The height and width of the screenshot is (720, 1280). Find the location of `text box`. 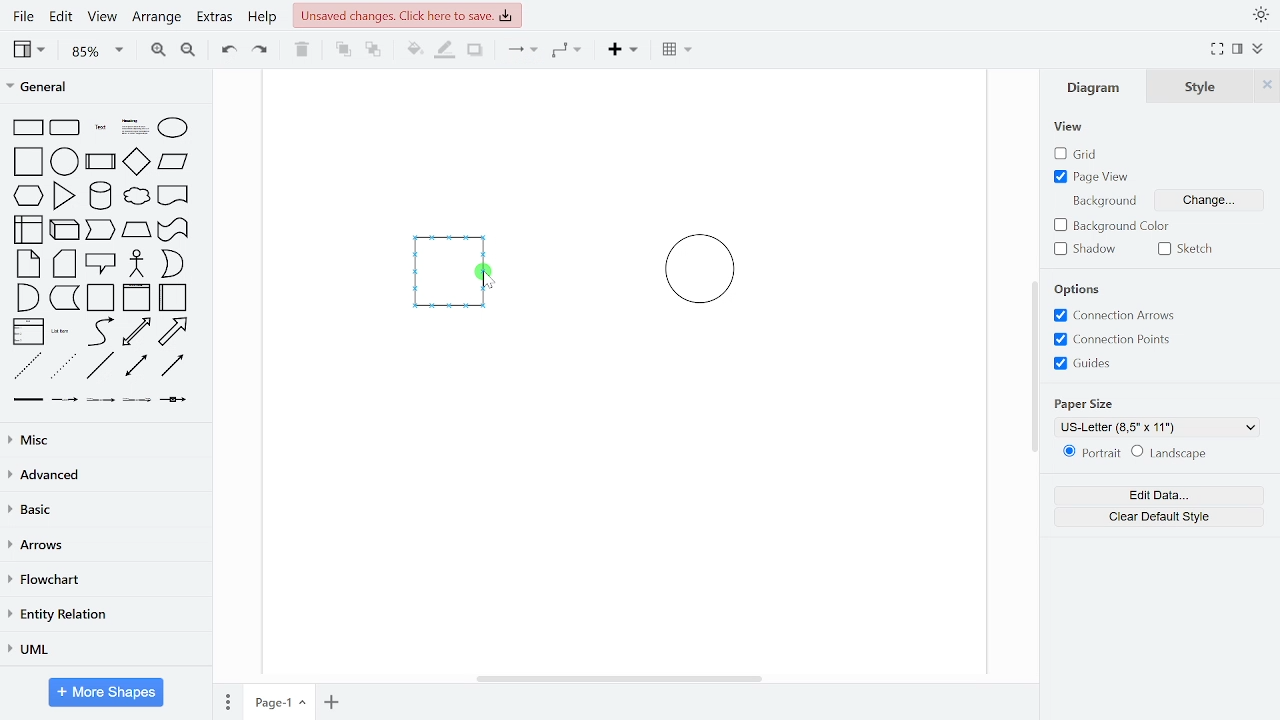

text box is located at coordinates (136, 129).